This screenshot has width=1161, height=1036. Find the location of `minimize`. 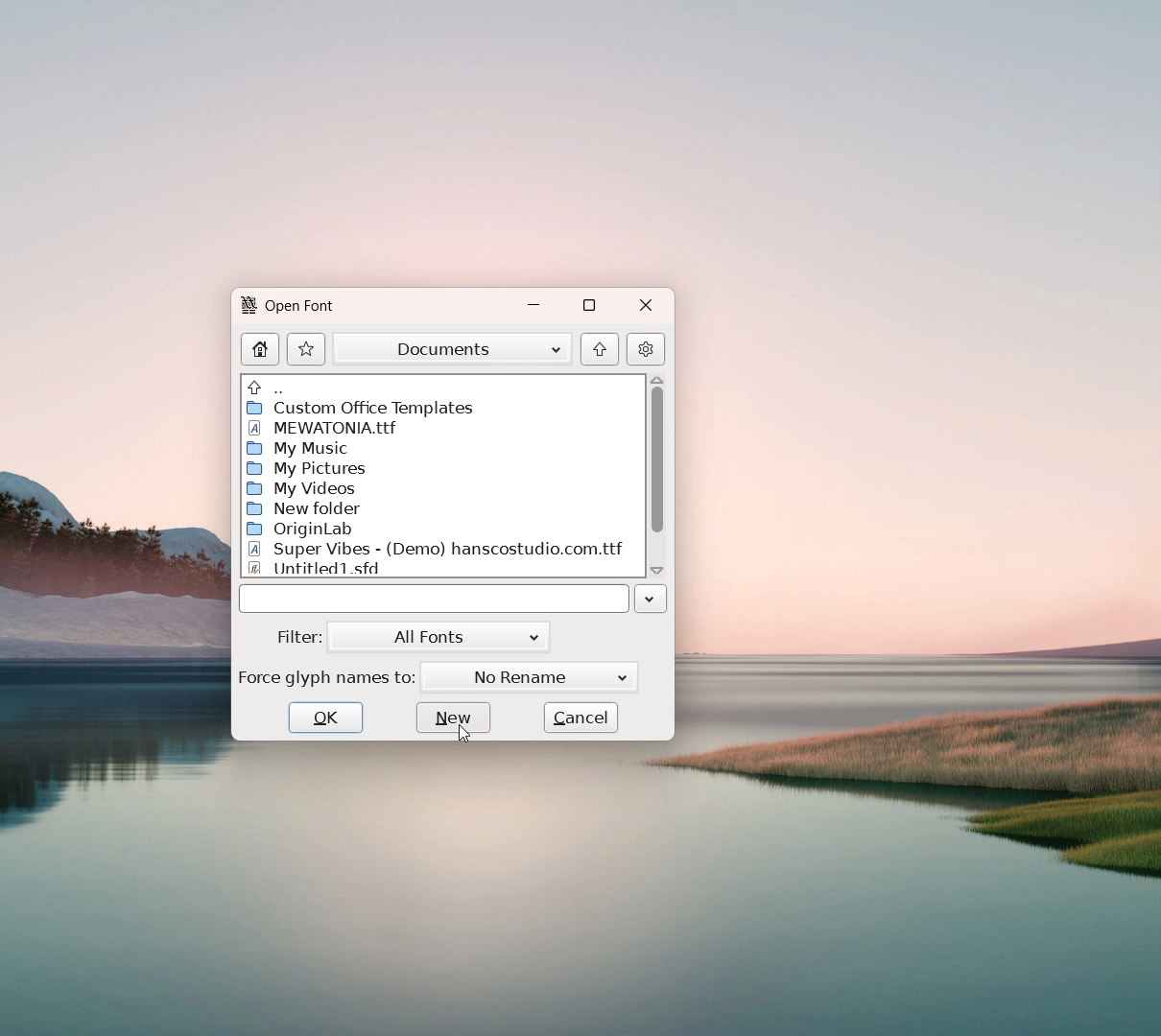

minimize is located at coordinates (532, 304).